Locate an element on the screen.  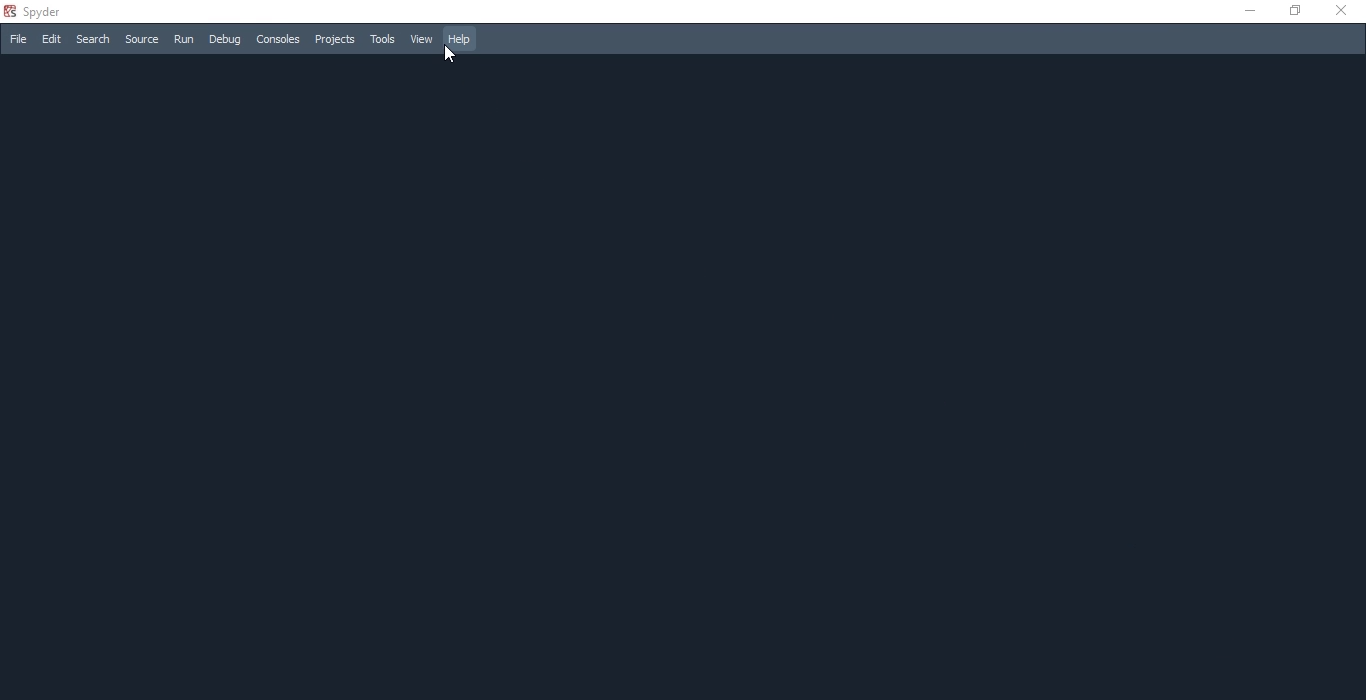
Run is located at coordinates (185, 39).